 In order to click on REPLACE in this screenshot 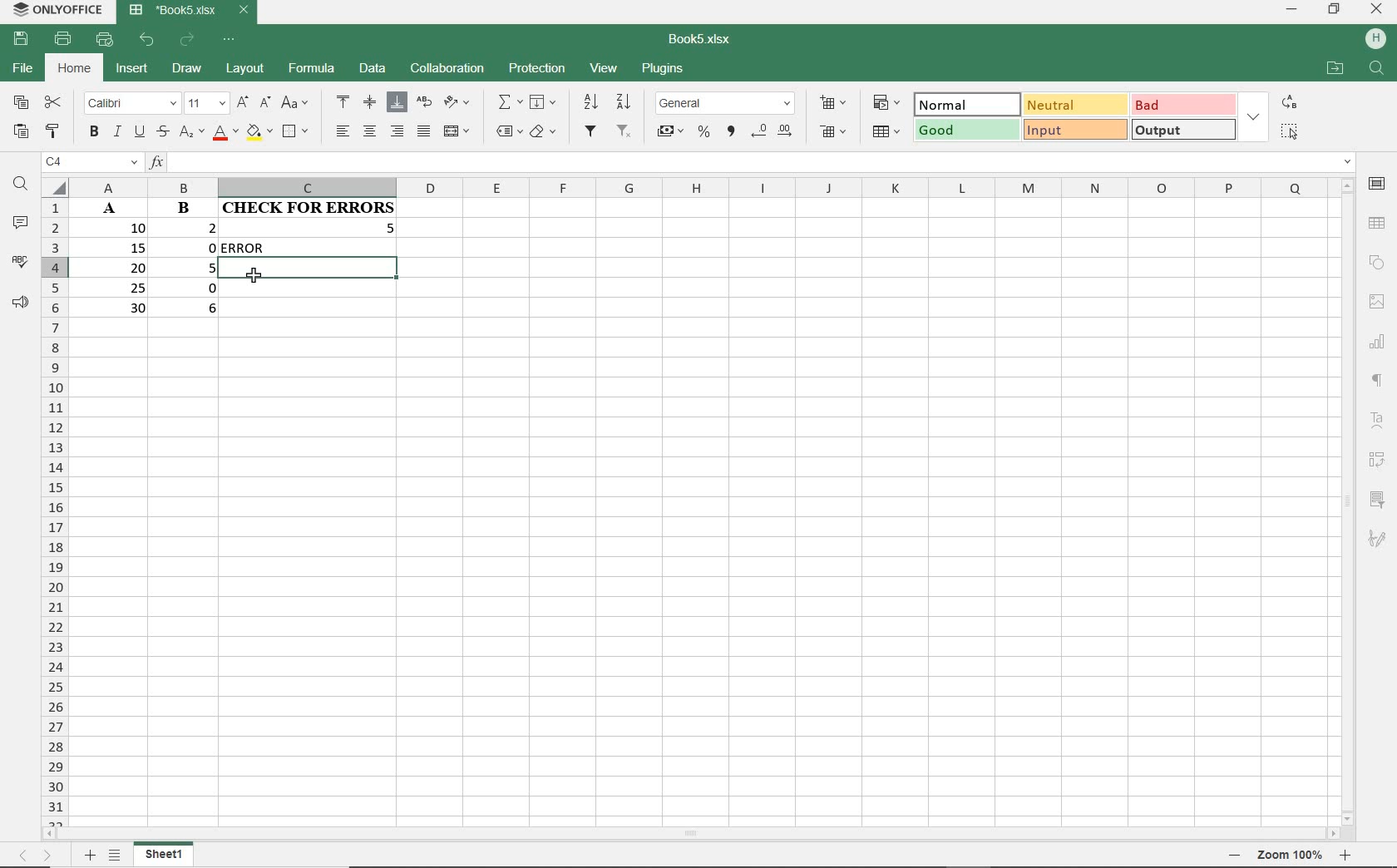, I will do `click(1289, 101)`.